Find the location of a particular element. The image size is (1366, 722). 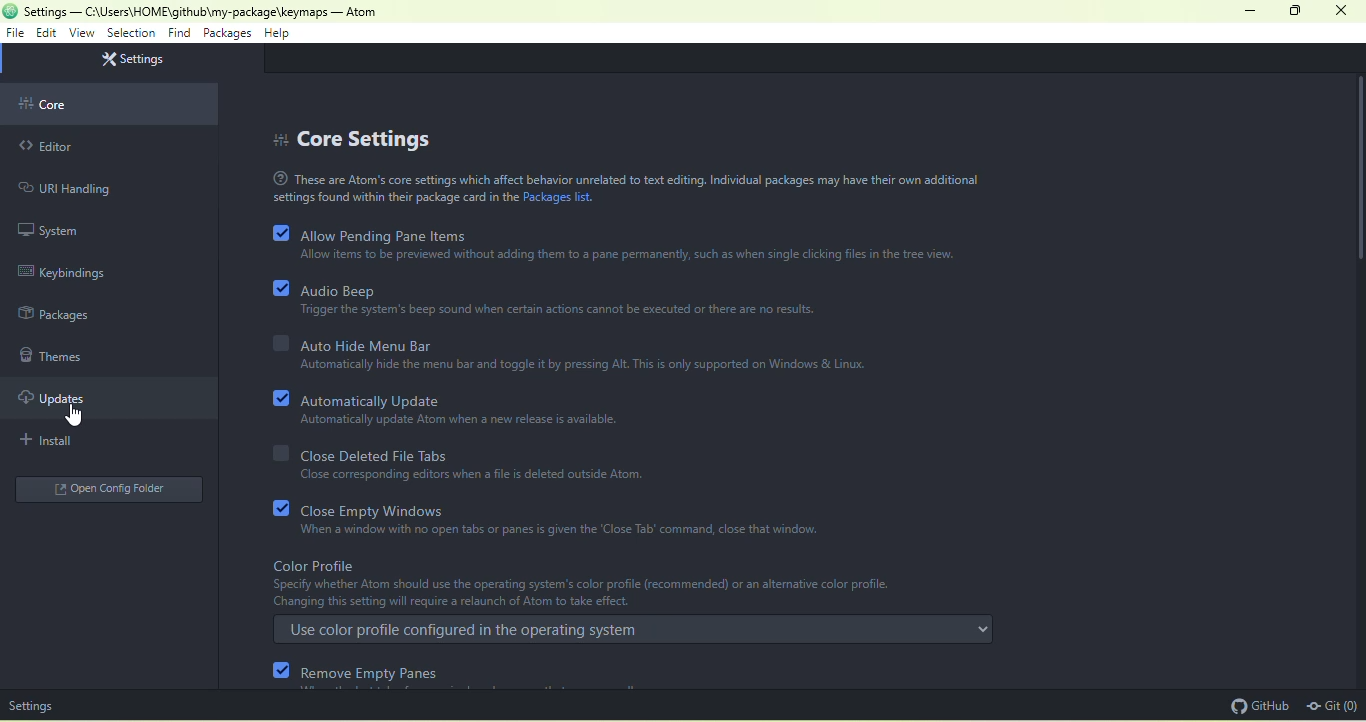

checkbox without ticks is located at coordinates (278, 343).